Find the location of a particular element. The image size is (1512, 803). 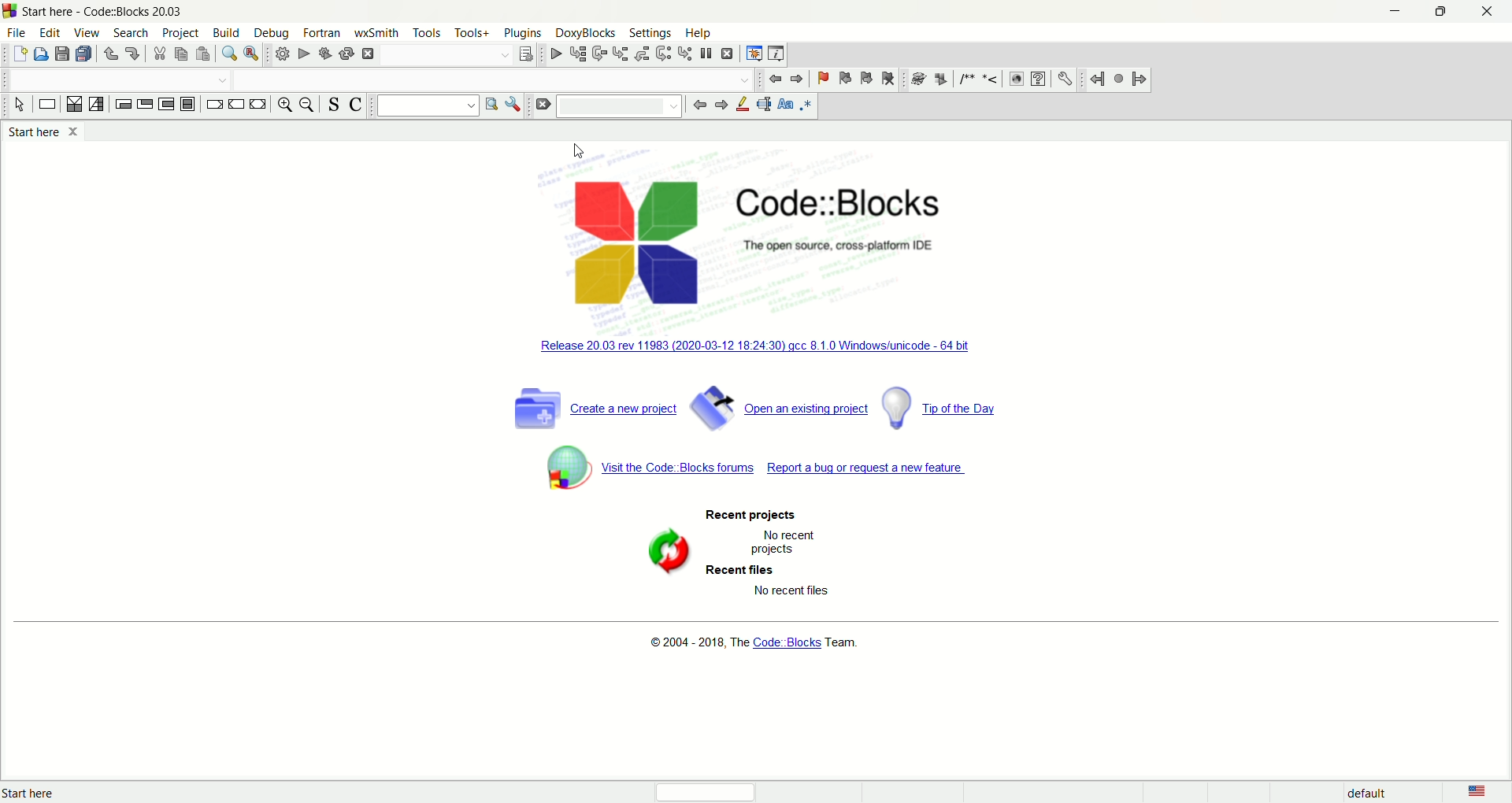

last jump is located at coordinates (1117, 80).